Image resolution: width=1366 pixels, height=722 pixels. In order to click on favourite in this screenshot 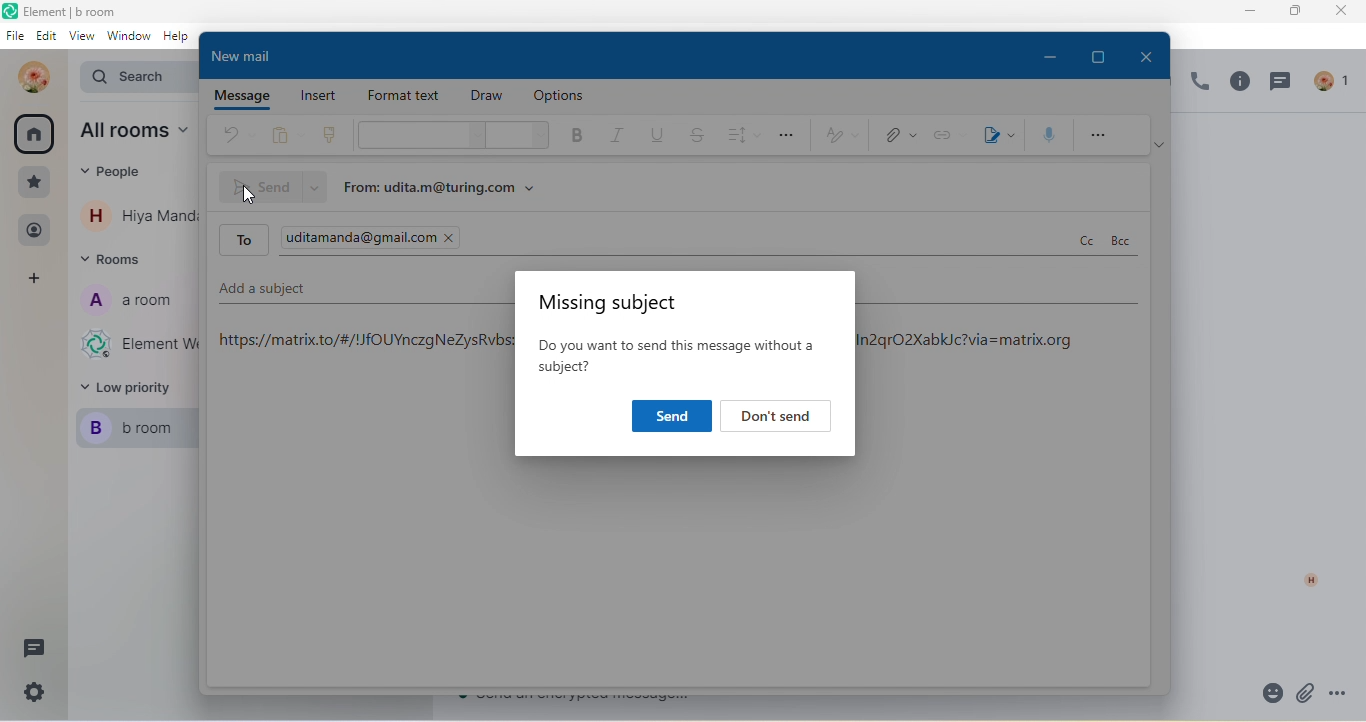, I will do `click(35, 182)`.